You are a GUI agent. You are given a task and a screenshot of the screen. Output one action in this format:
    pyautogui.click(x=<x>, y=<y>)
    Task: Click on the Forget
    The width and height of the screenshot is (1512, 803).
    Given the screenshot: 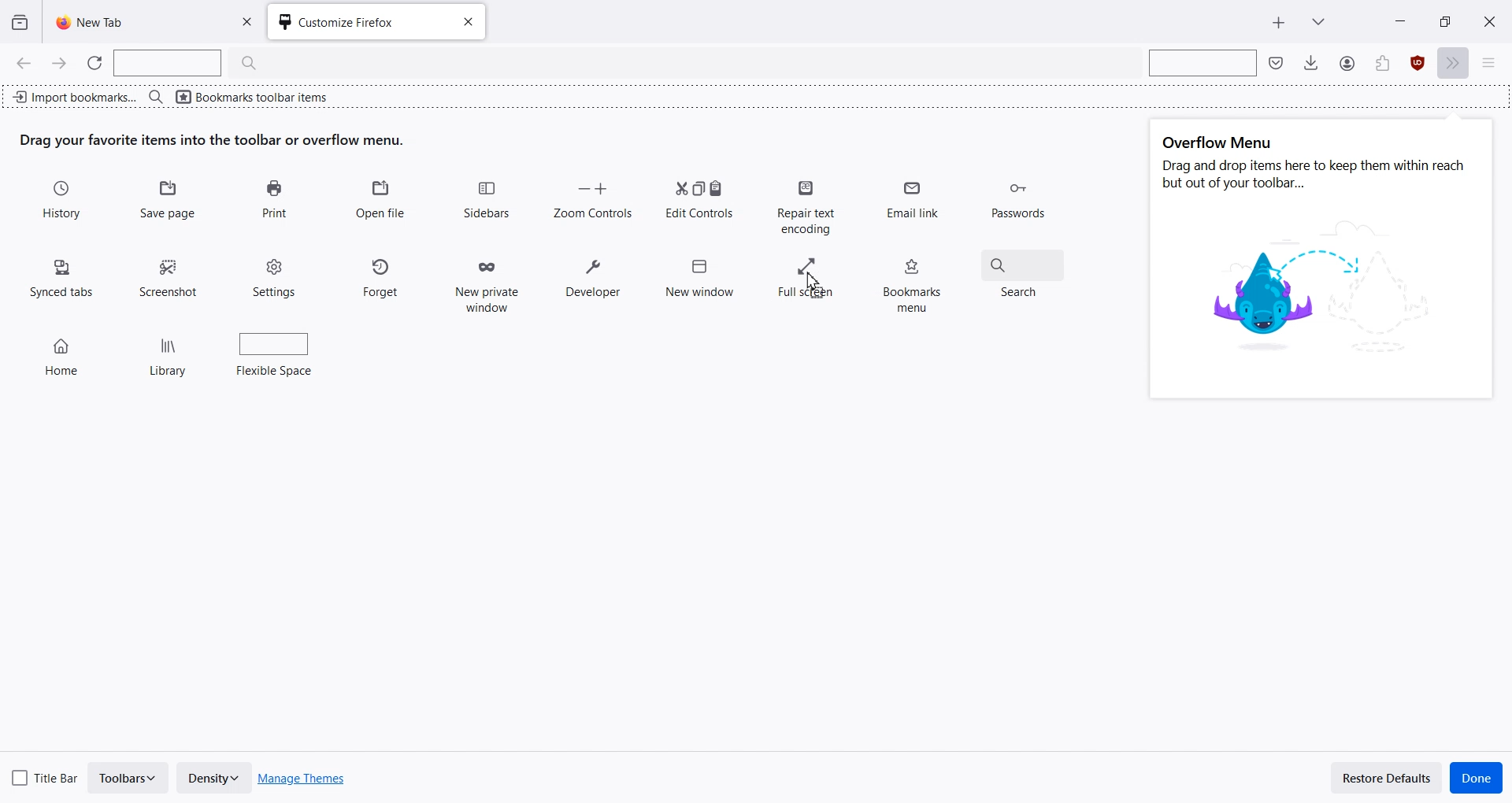 What is the action you would take?
    pyautogui.click(x=382, y=275)
    